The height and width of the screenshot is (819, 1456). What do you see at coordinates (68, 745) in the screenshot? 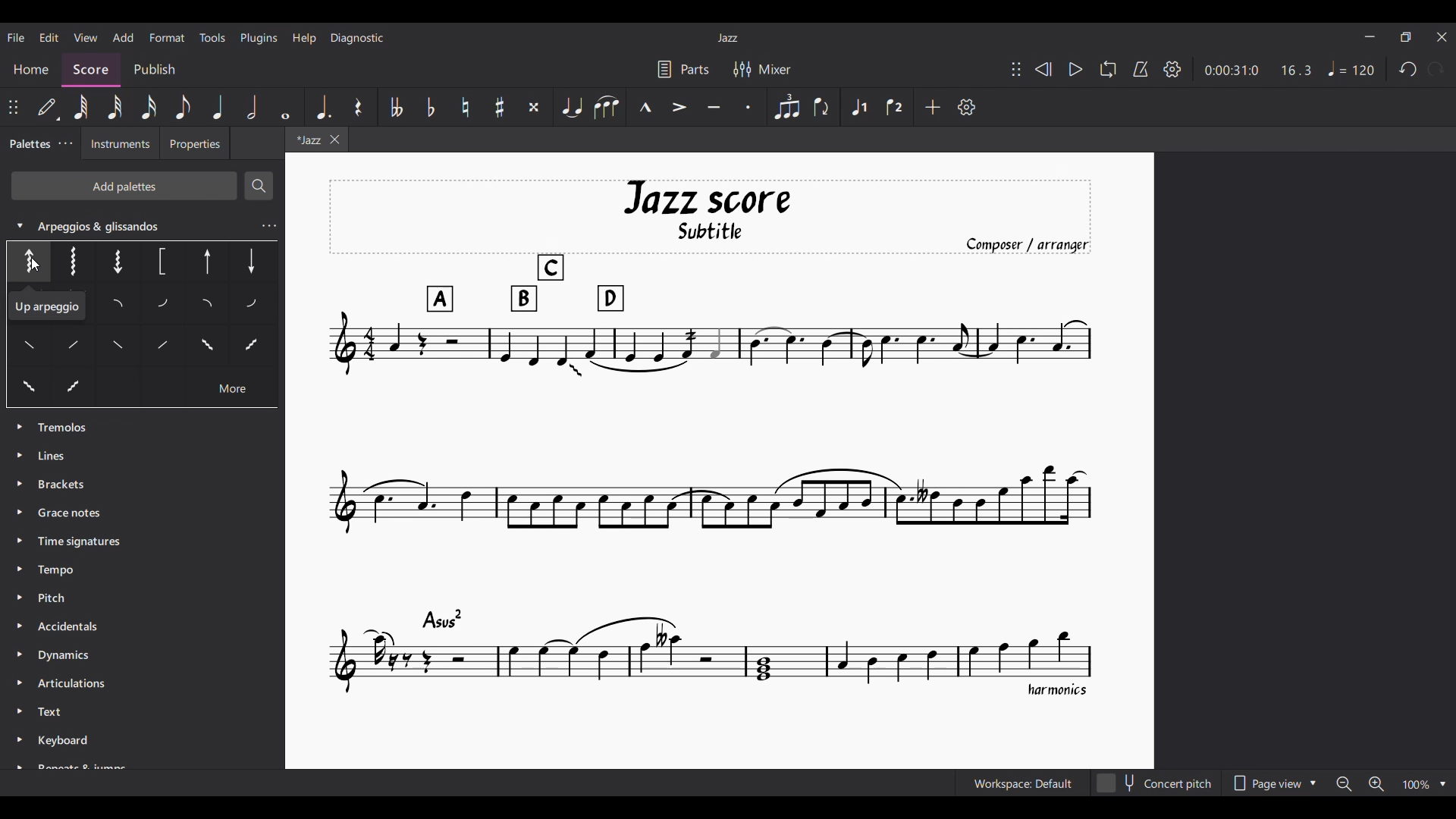
I see `Keyboard` at bounding box center [68, 745].